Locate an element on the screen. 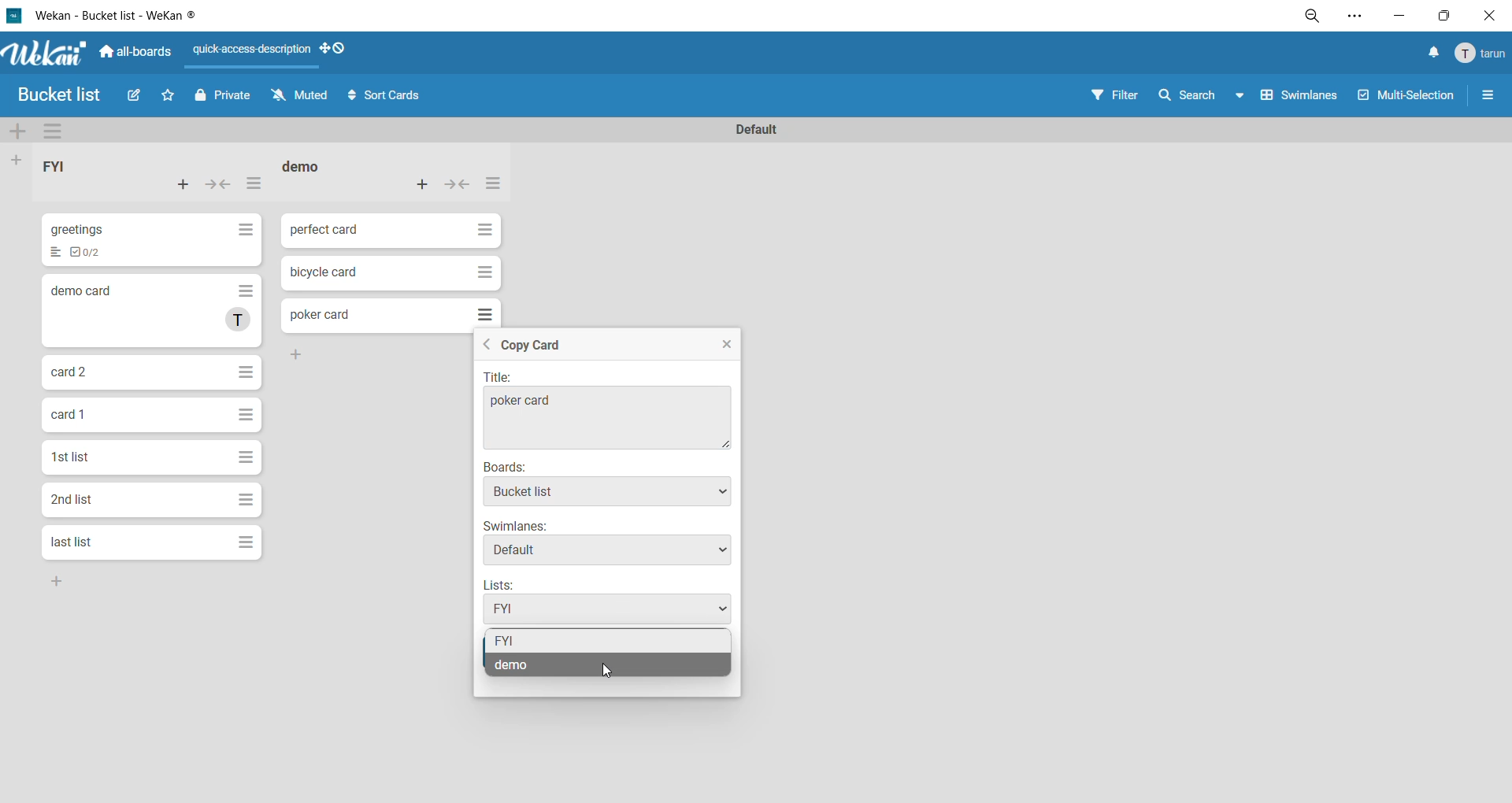 This screenshot has height=803, width=1512. Swimlanes: is located at coordinates (518, 525).